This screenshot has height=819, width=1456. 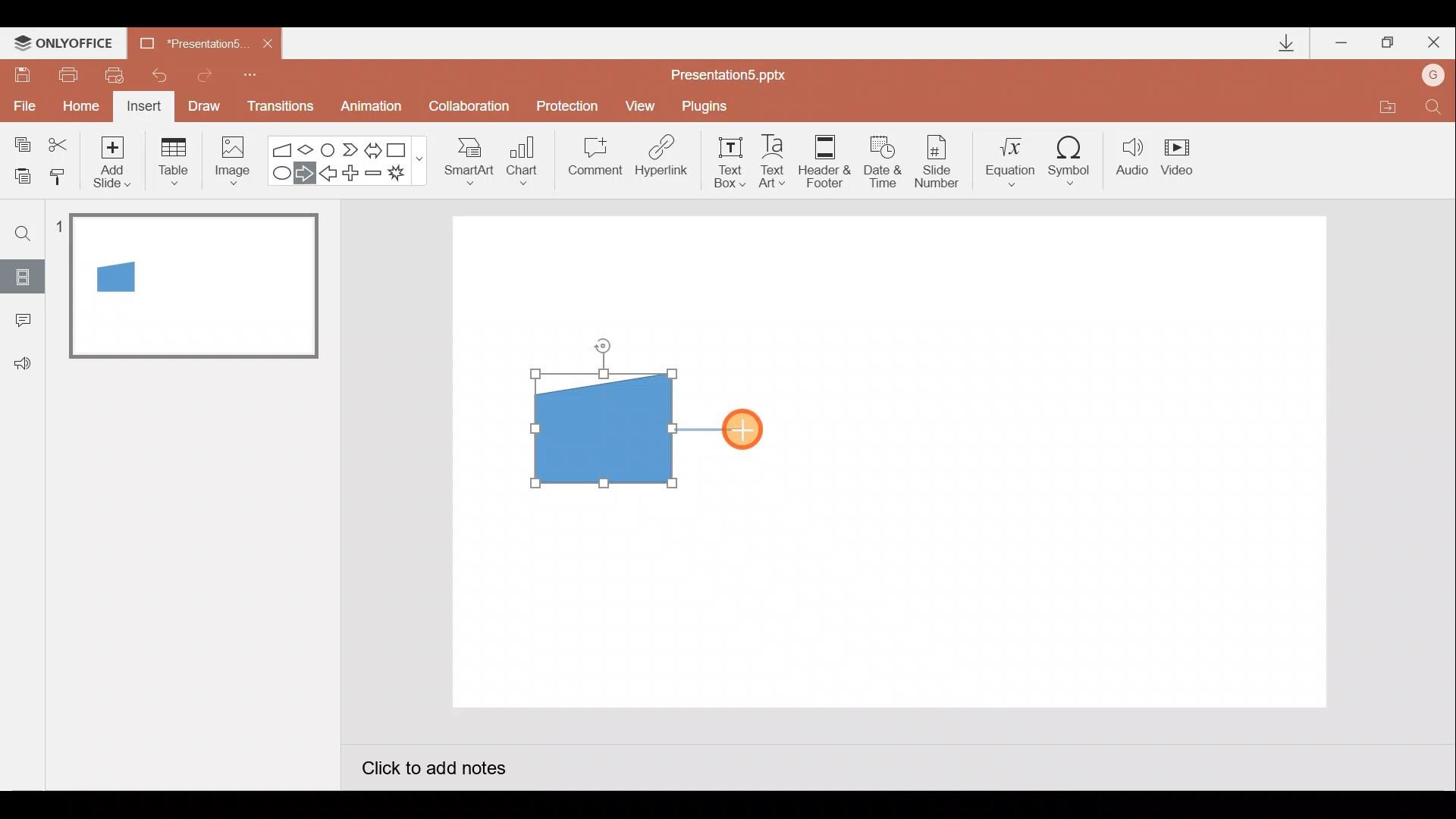 I want to click on Cut, so click(x=61, y=142).